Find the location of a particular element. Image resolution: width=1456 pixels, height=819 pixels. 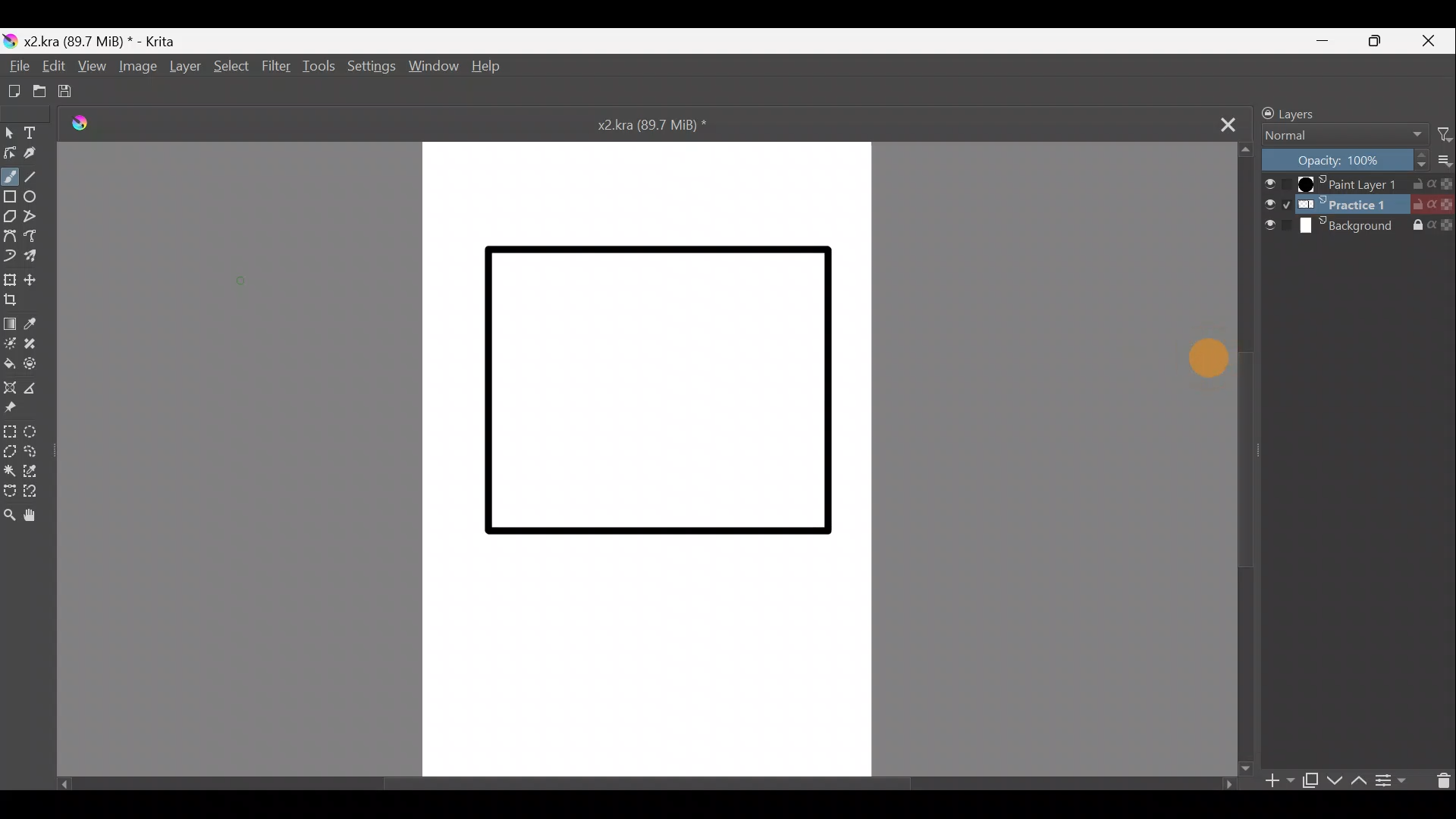

Select shapes tool is located at coordinates (9, 132).